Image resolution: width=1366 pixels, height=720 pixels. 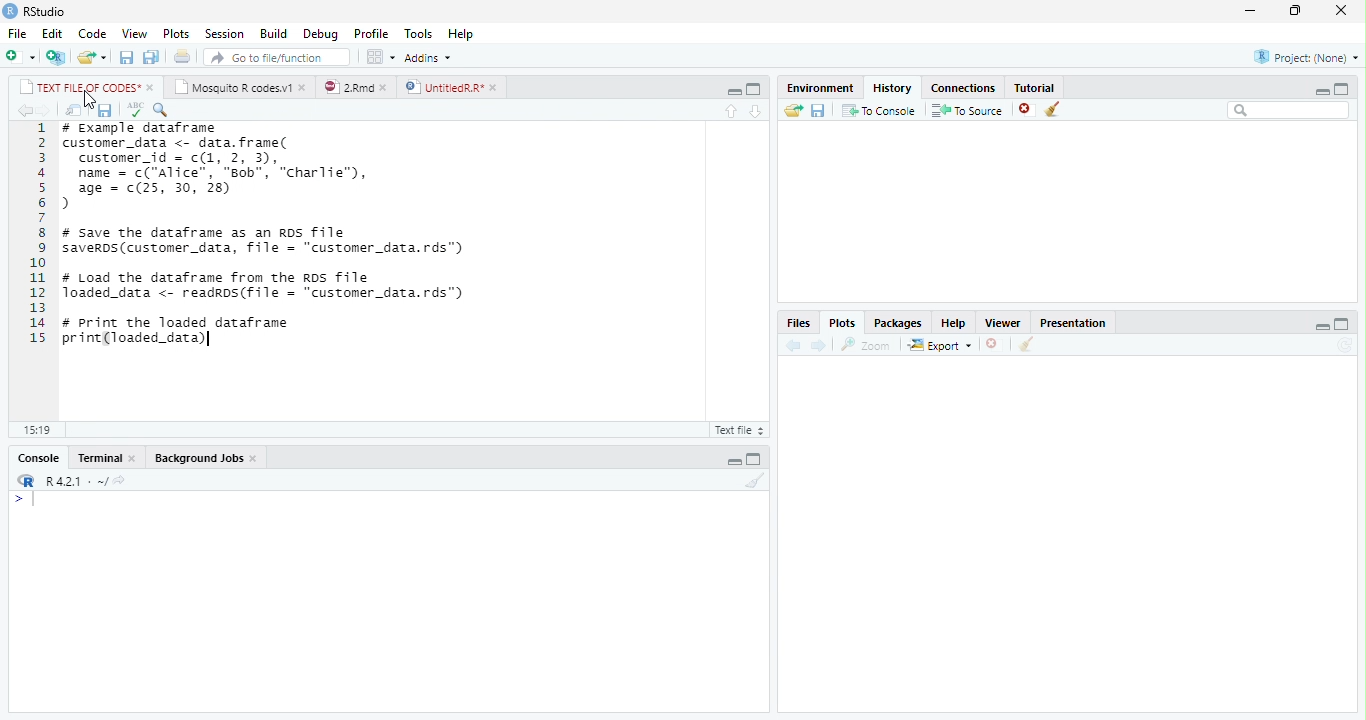 What do you see at coordinates (1027, 344) in the screenshot?
I see `clean` at bounding box center [1027, 344].